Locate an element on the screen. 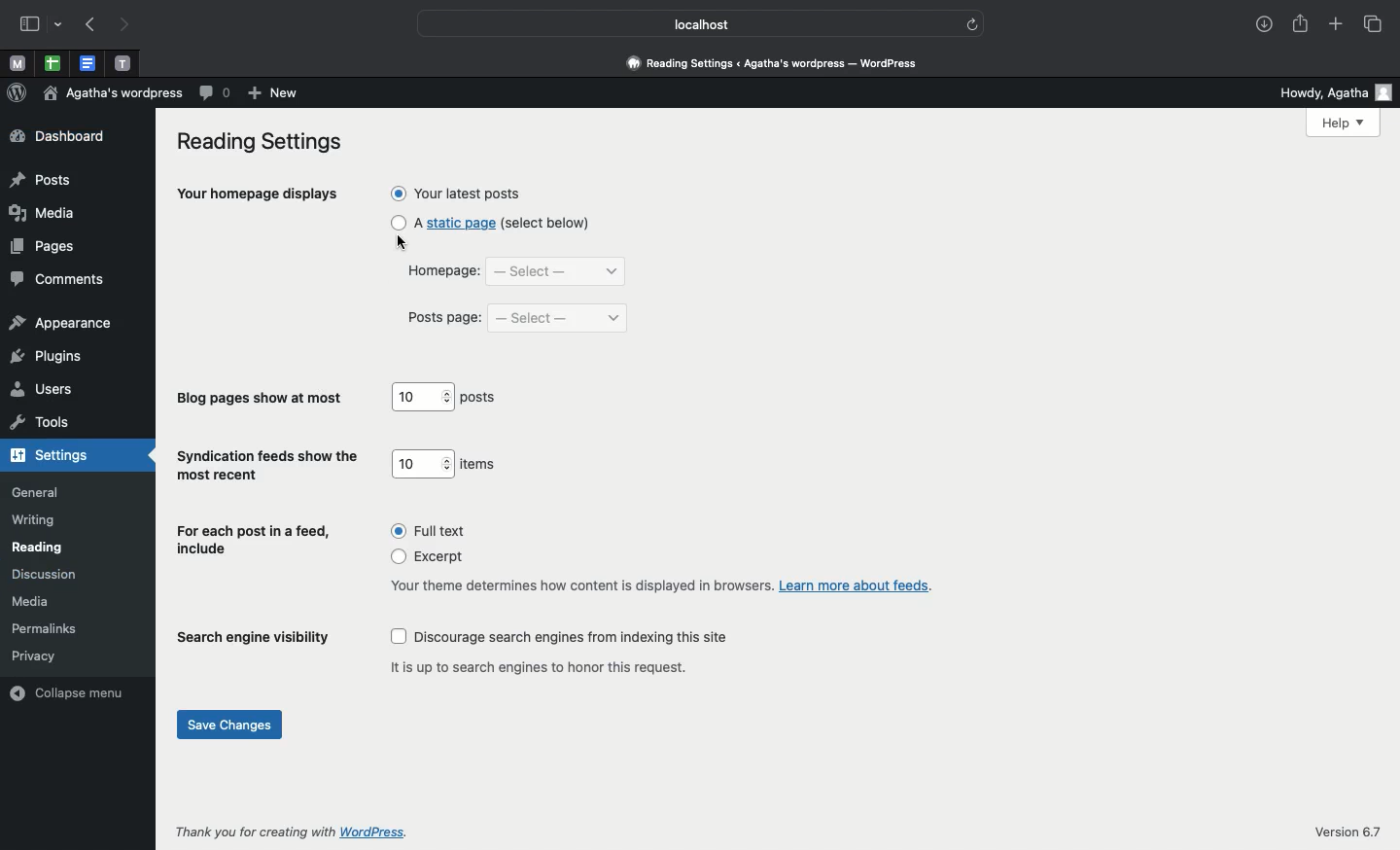 The height and width of the screenshot is (850, 1400). Previous page is located at coordinates (93, 25).